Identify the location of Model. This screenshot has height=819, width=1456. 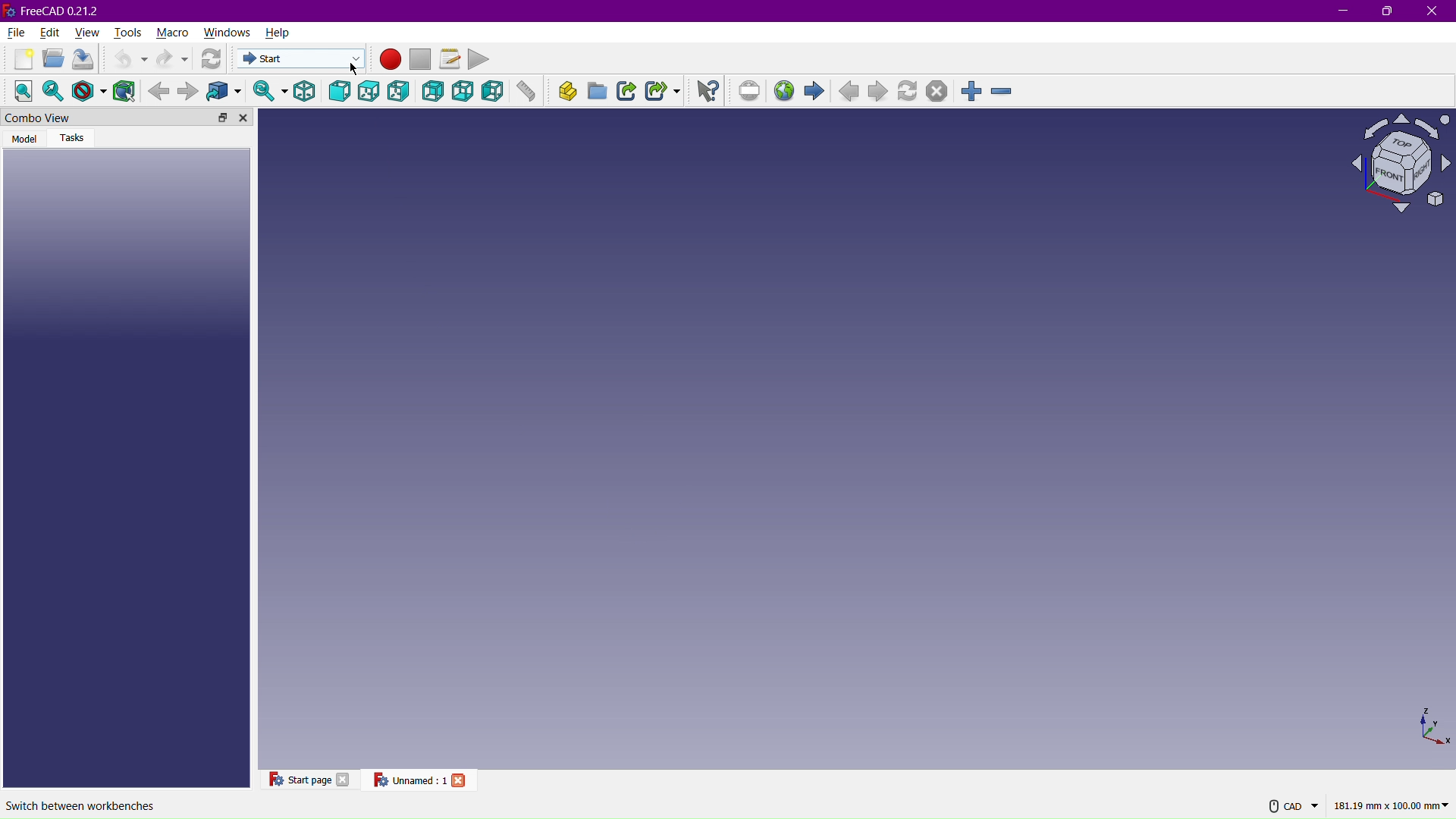
(26, 139).